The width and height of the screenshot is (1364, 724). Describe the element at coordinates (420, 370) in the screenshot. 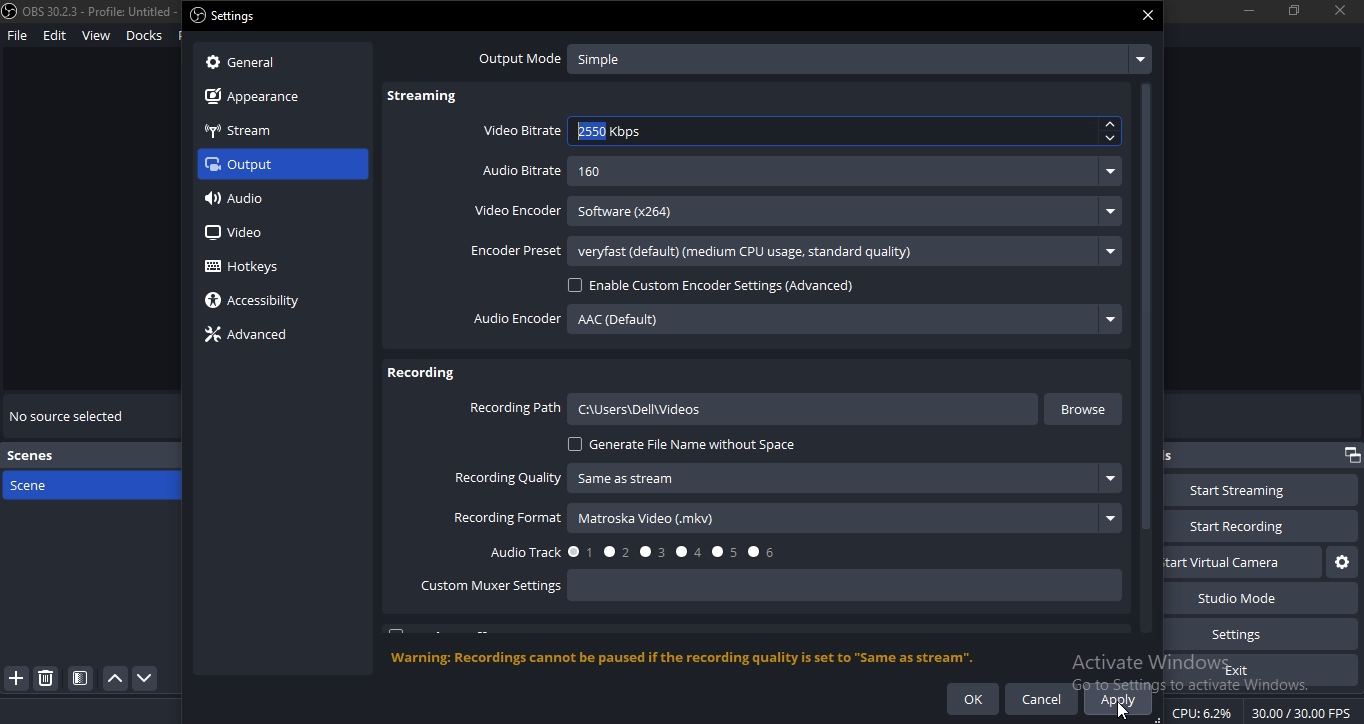

I see `recording` at that location.